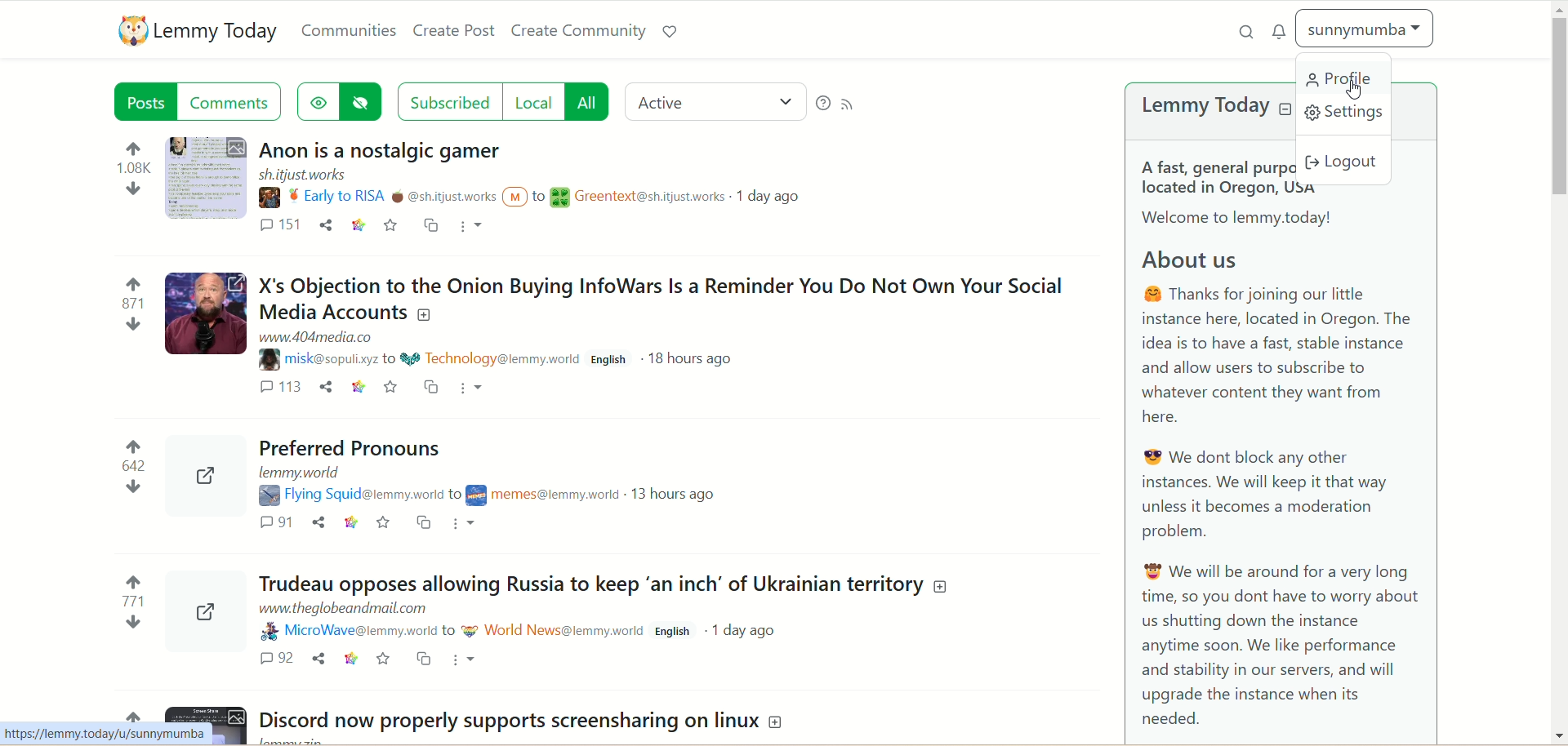 This screenshot has height=746, width=1568. What do you see at coordinates (749, 630) in the screenshot?
I see `1 day ago` at bounding box center [749, 630].